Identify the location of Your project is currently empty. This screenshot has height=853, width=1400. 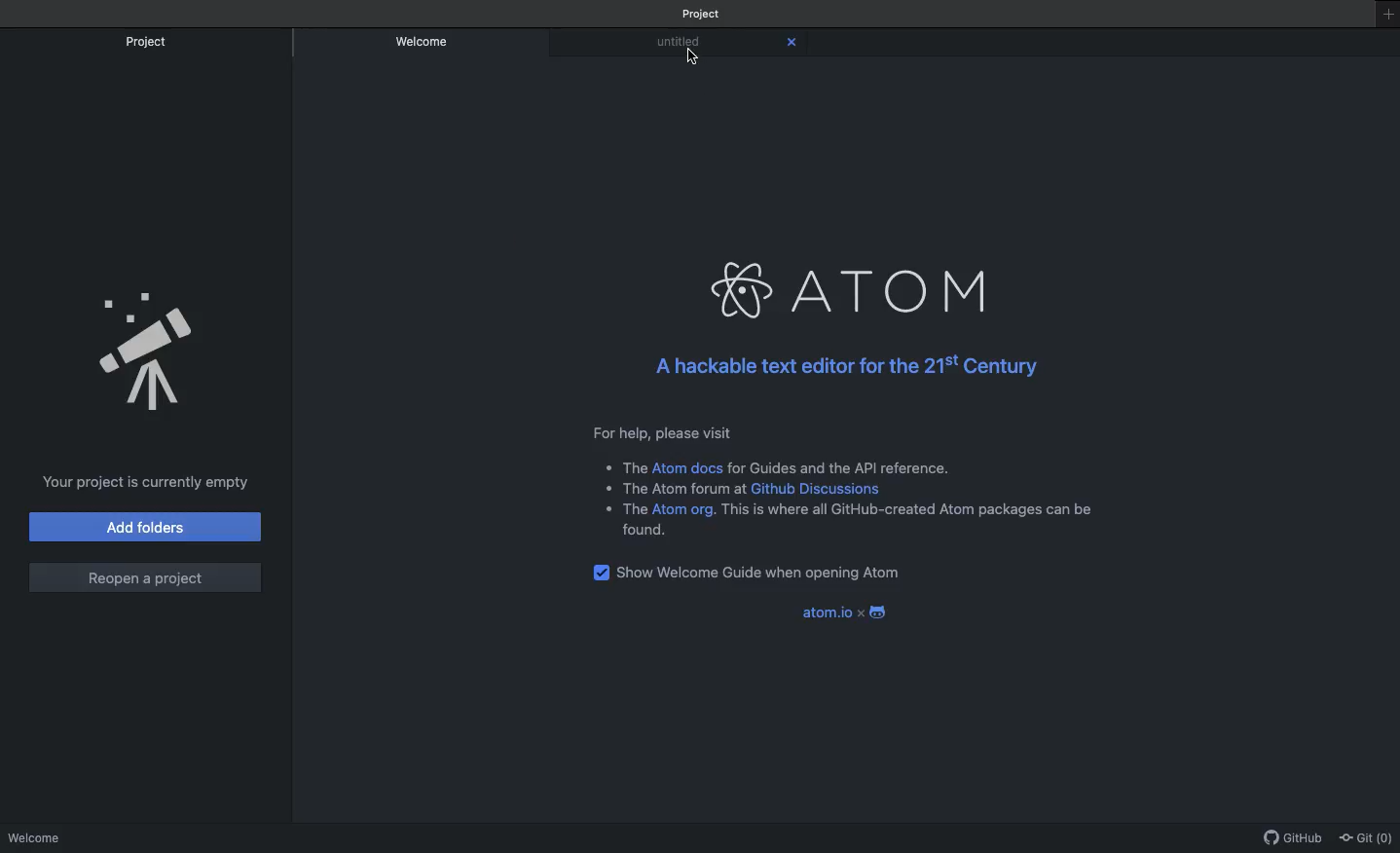
(147, 483).